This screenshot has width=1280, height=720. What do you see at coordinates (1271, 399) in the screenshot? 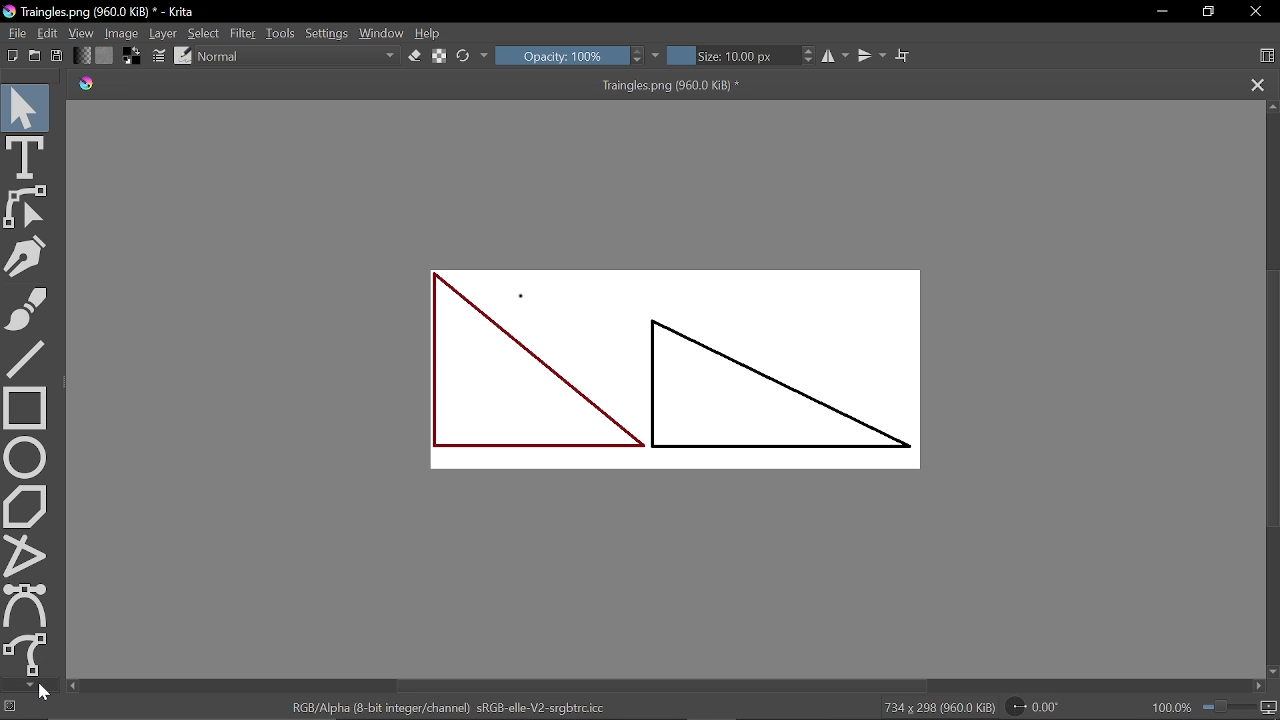
I see `Vertical scrollbar` at bounding box center [1271, 399].